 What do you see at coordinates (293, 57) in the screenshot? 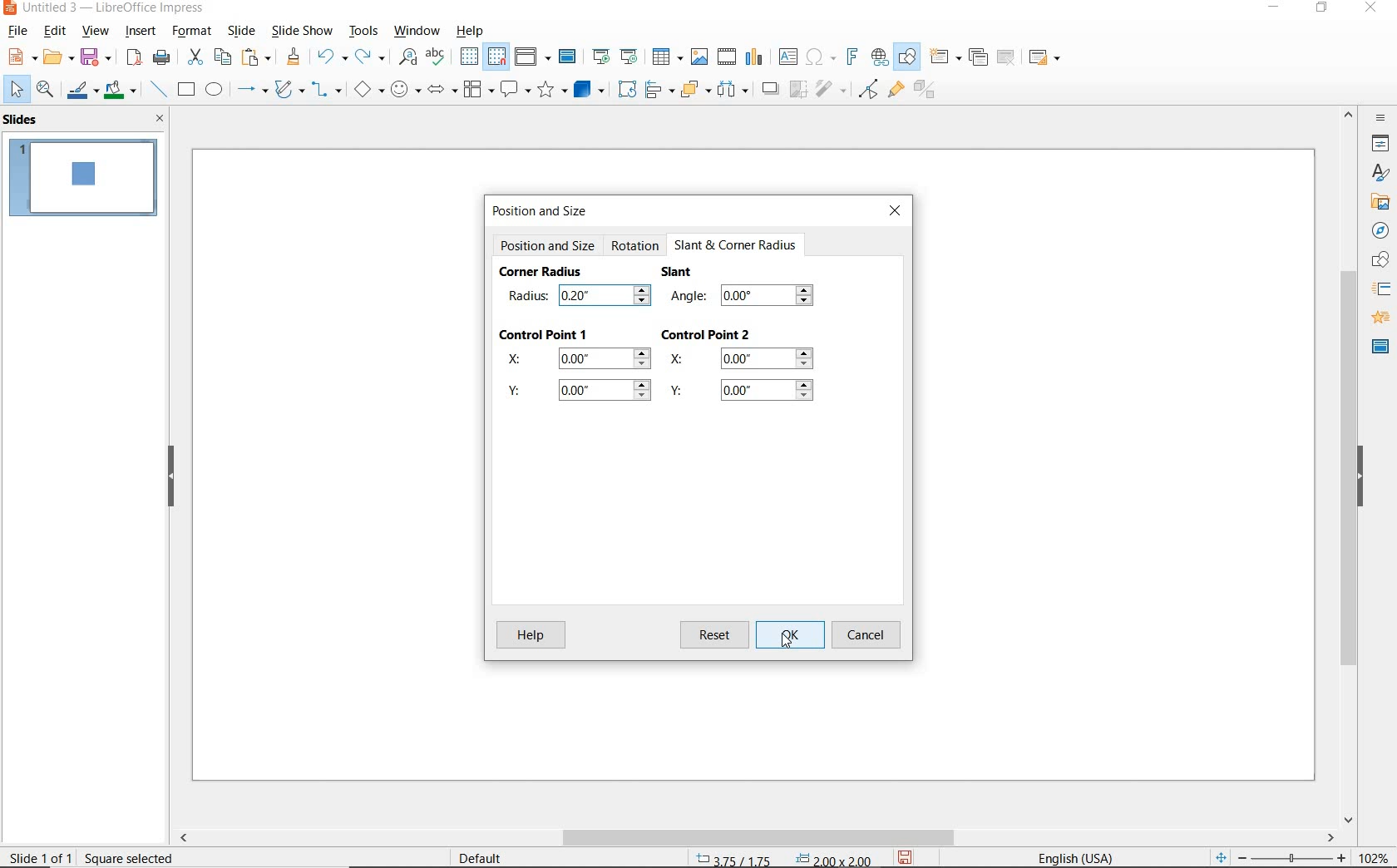
I see `clone formatting` at bounding box center [293, 57].